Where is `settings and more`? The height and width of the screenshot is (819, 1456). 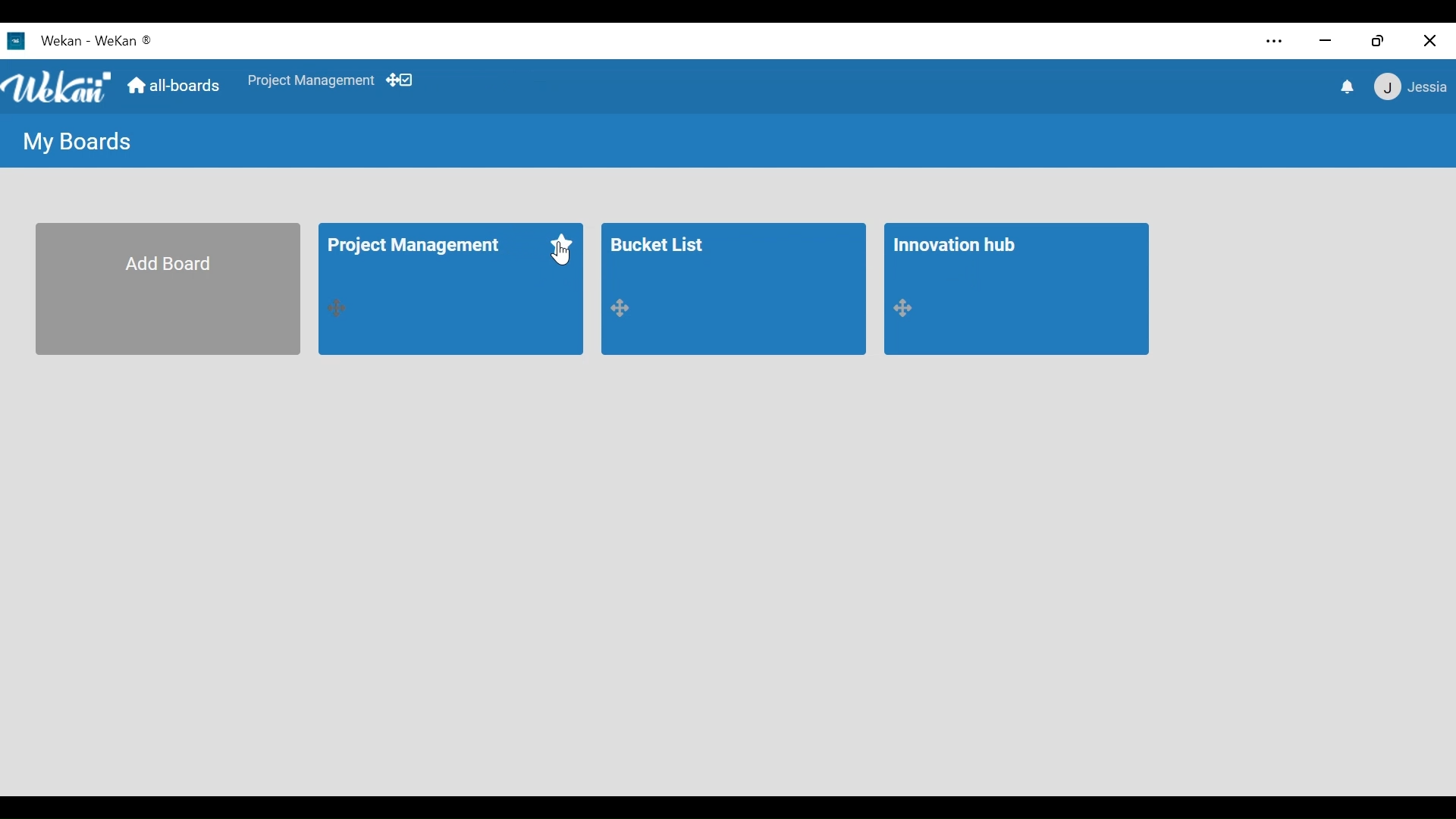 settings and more is located at coordinates (1272, 42).